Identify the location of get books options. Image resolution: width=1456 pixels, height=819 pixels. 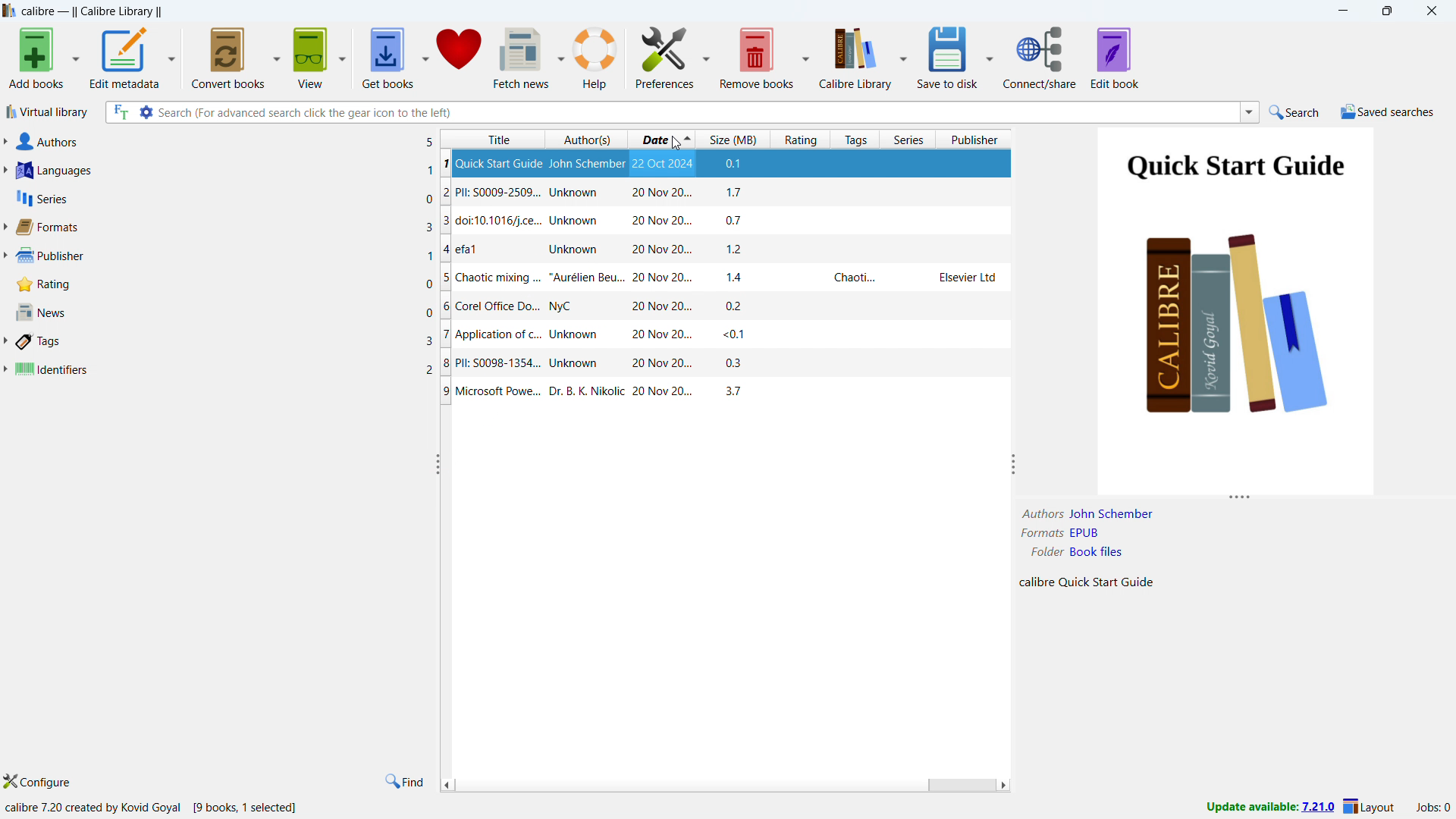
(425, 55).